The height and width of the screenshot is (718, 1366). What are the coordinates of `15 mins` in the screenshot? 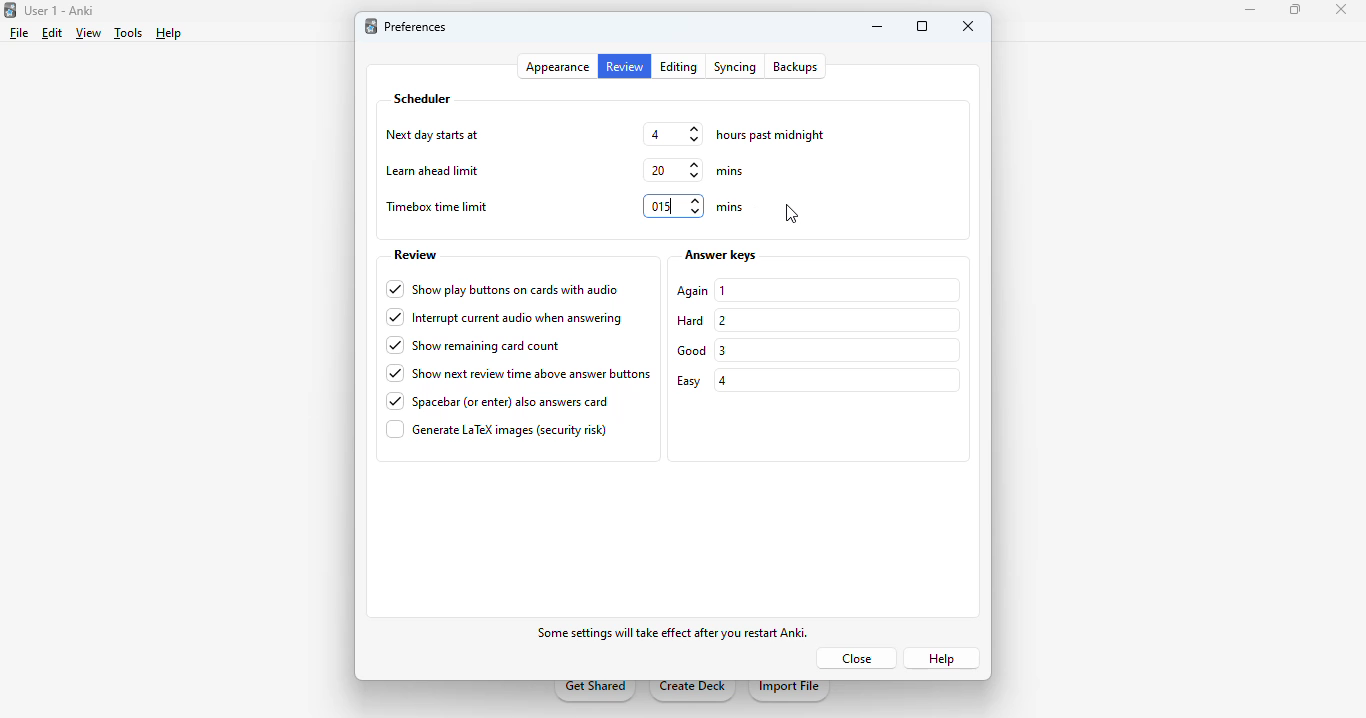 It's located at (672, 206).